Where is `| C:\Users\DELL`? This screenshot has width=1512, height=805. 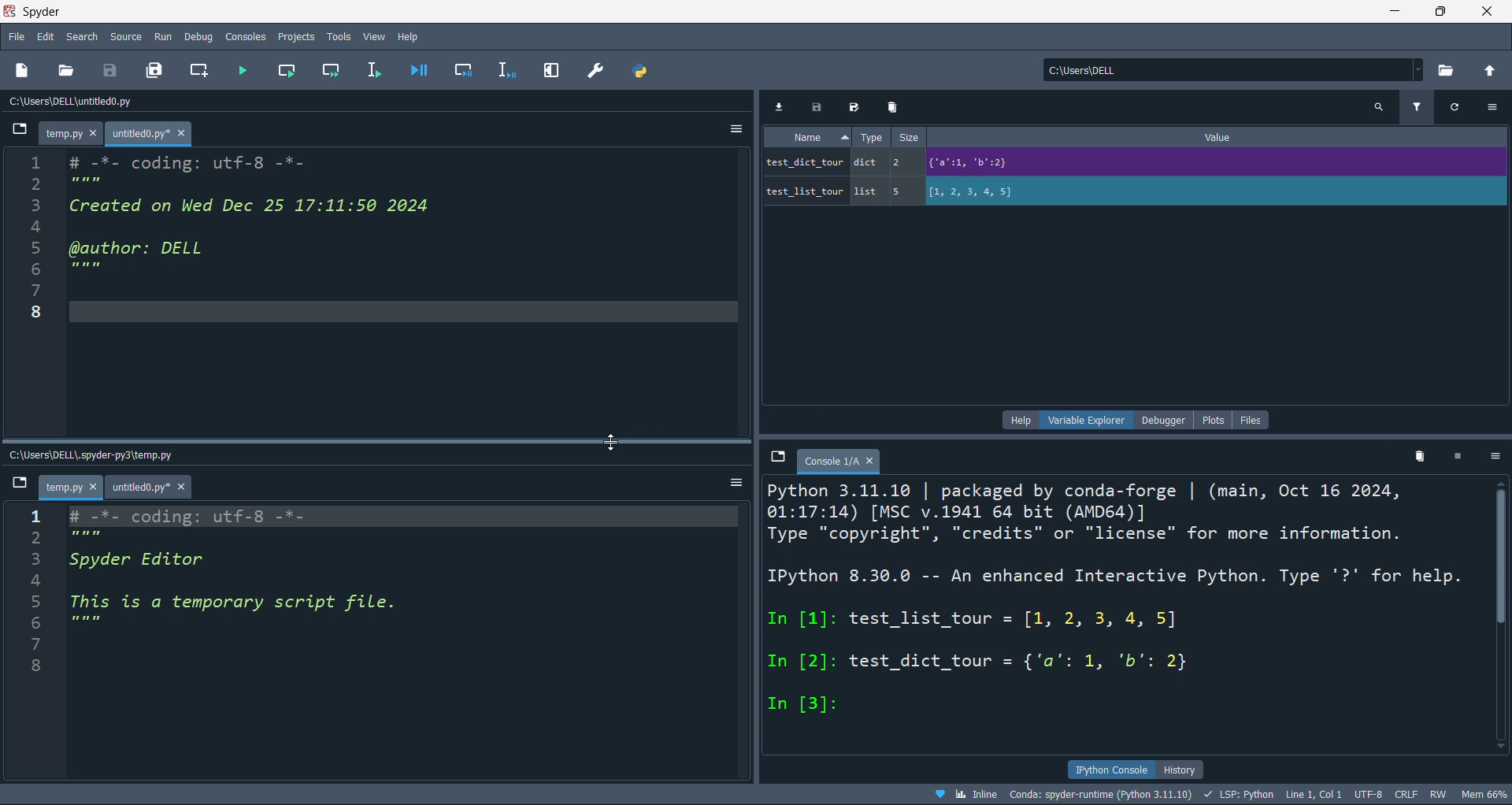
| C:\Users\DELL is located at coordinates (1081, 69).